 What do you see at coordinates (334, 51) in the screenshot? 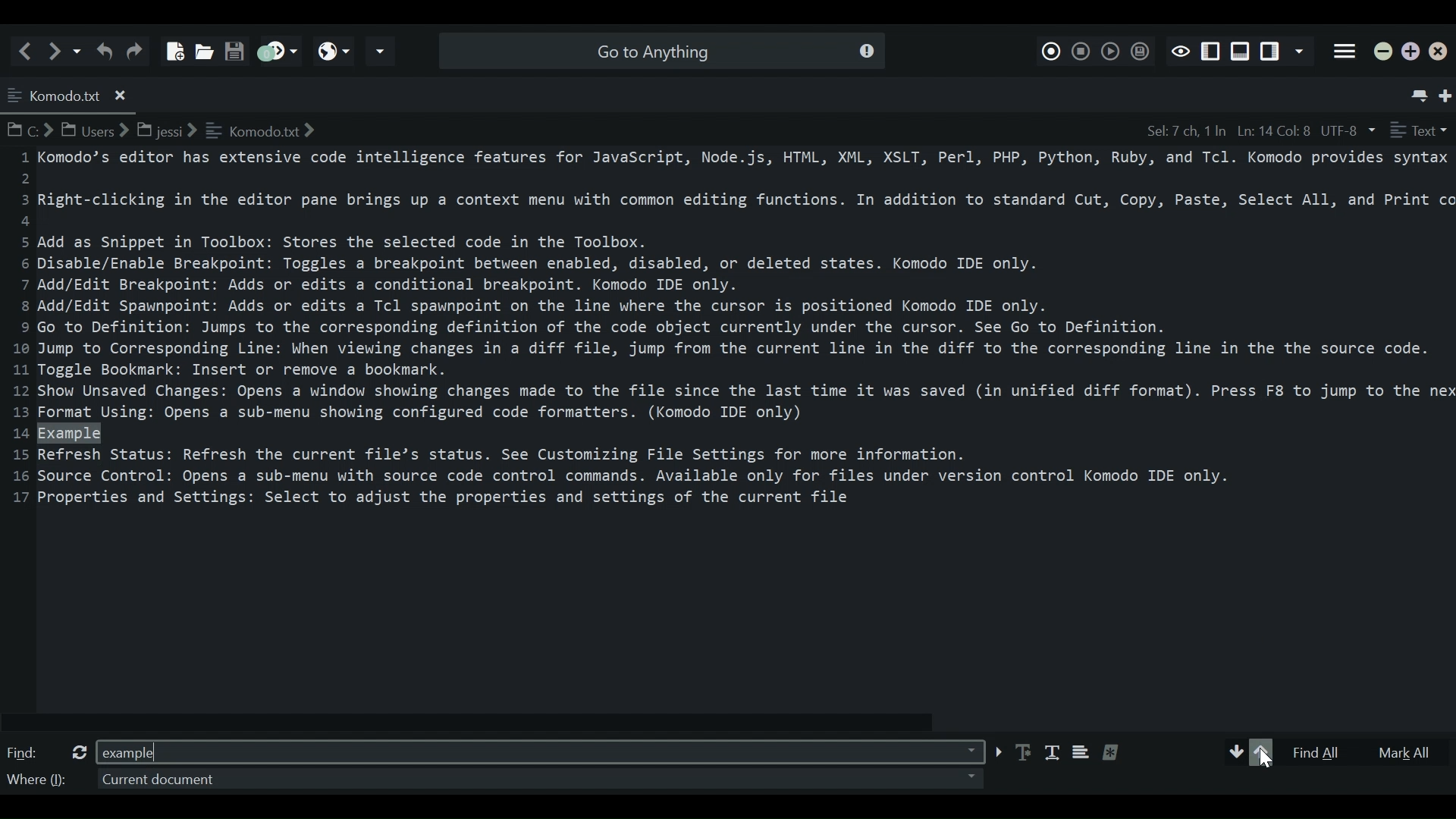
I see `View in browser` at bounding box center [334, 51].